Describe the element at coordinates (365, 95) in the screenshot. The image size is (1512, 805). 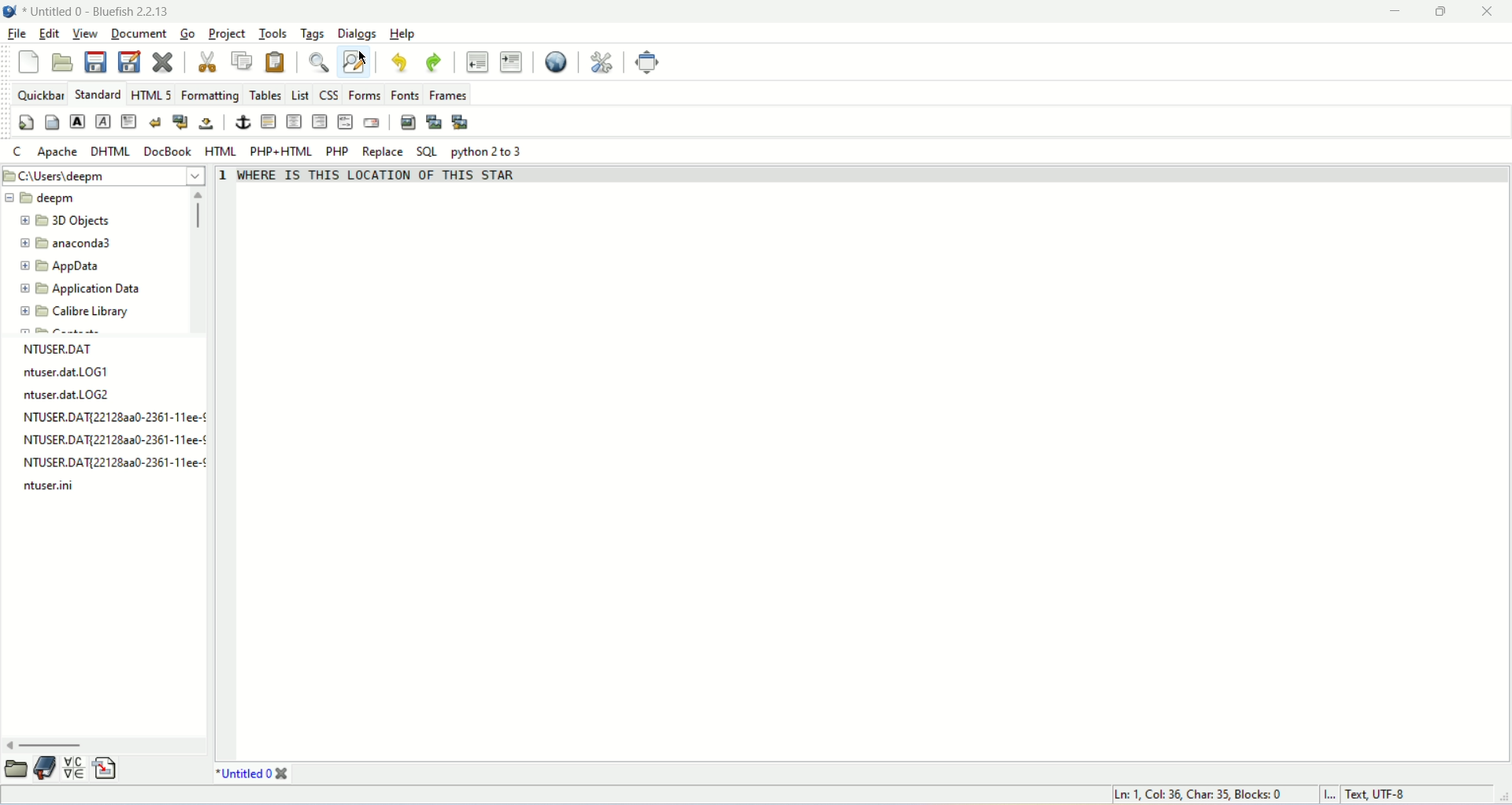
I see `forms` at that location.